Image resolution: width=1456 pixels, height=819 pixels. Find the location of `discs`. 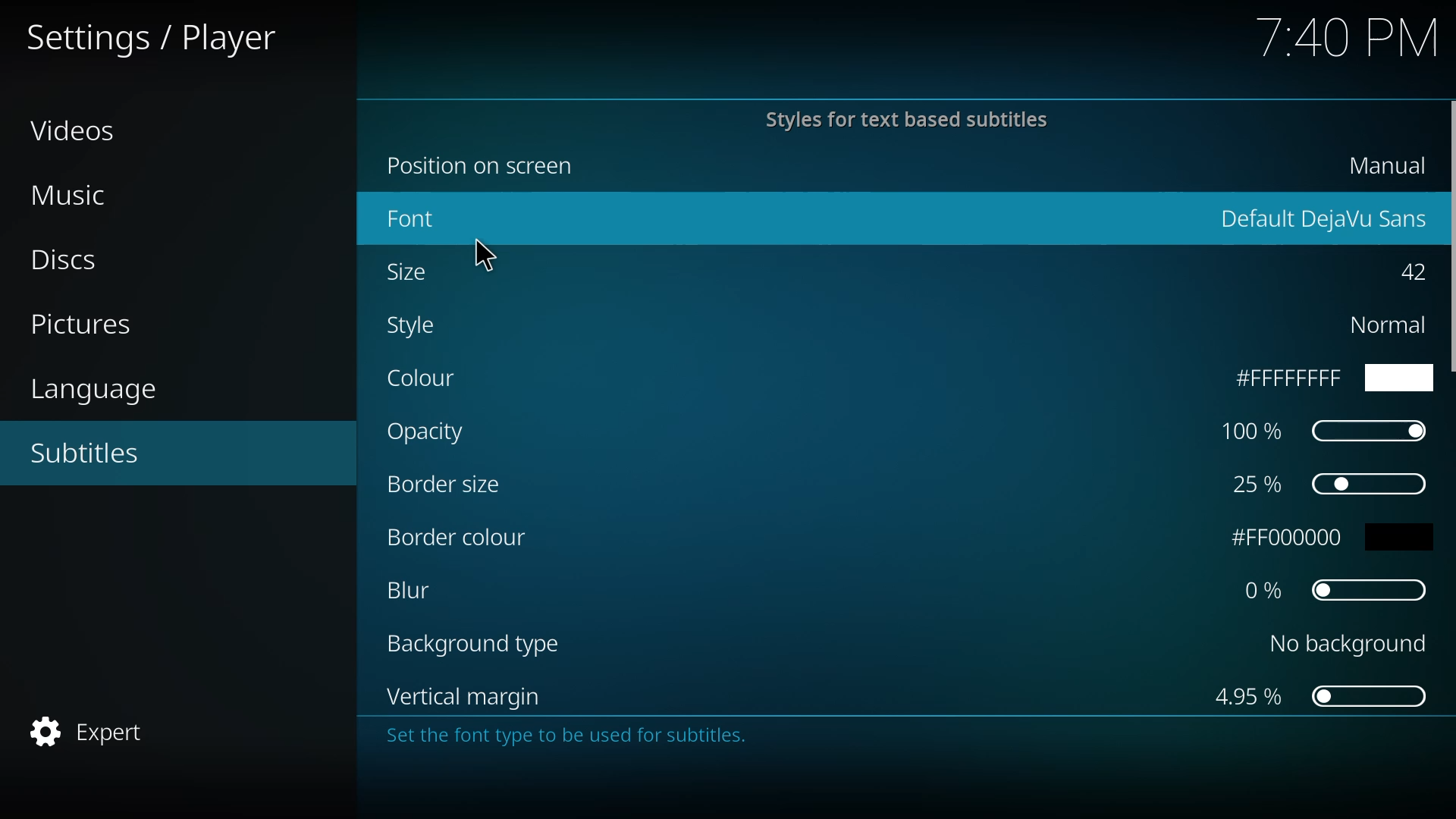

discs is located at coordinates (66, 262).